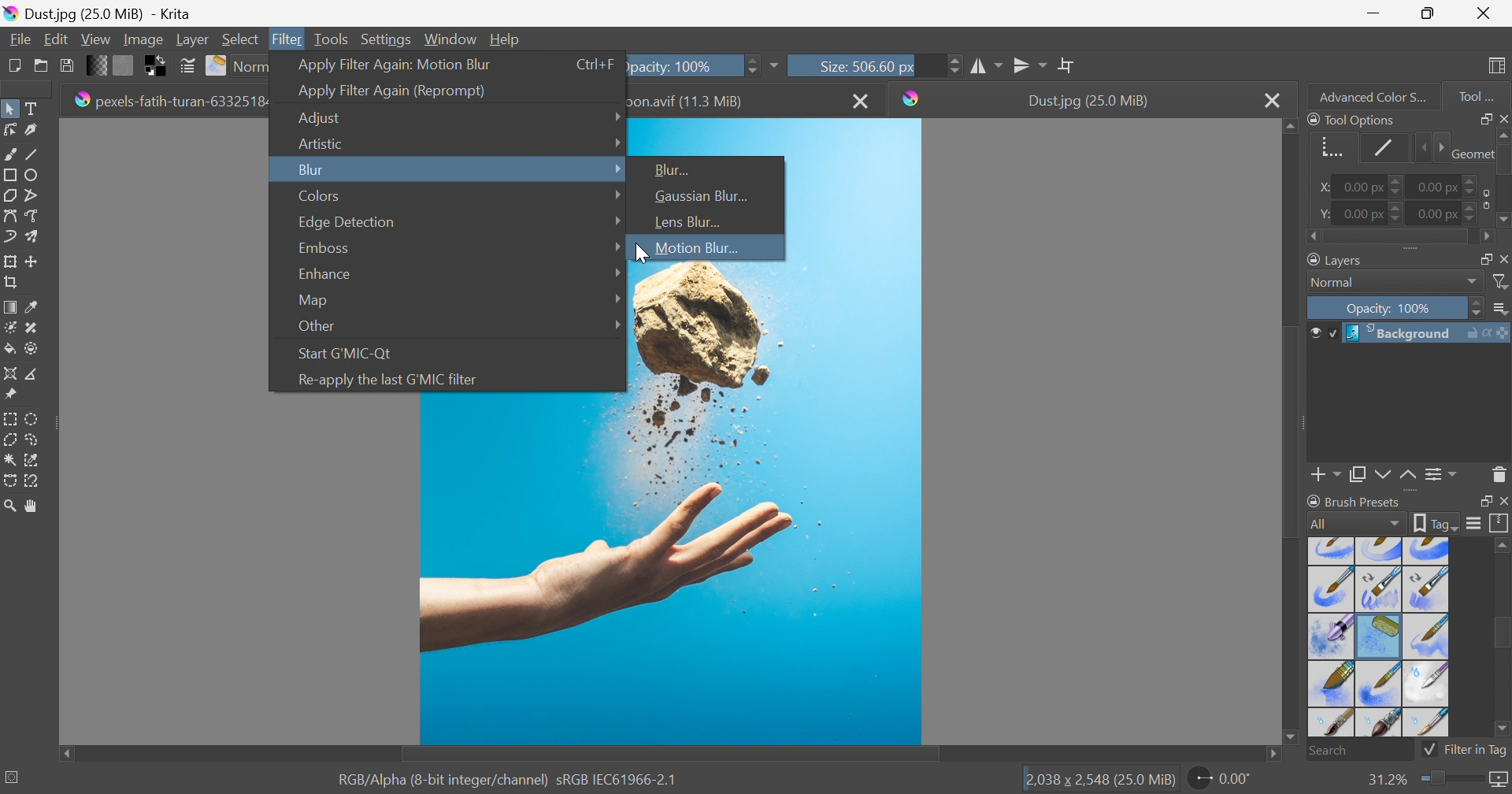 The image size is (1512, 794). I want to click on Size: 506.60 px, so click(841, 65).